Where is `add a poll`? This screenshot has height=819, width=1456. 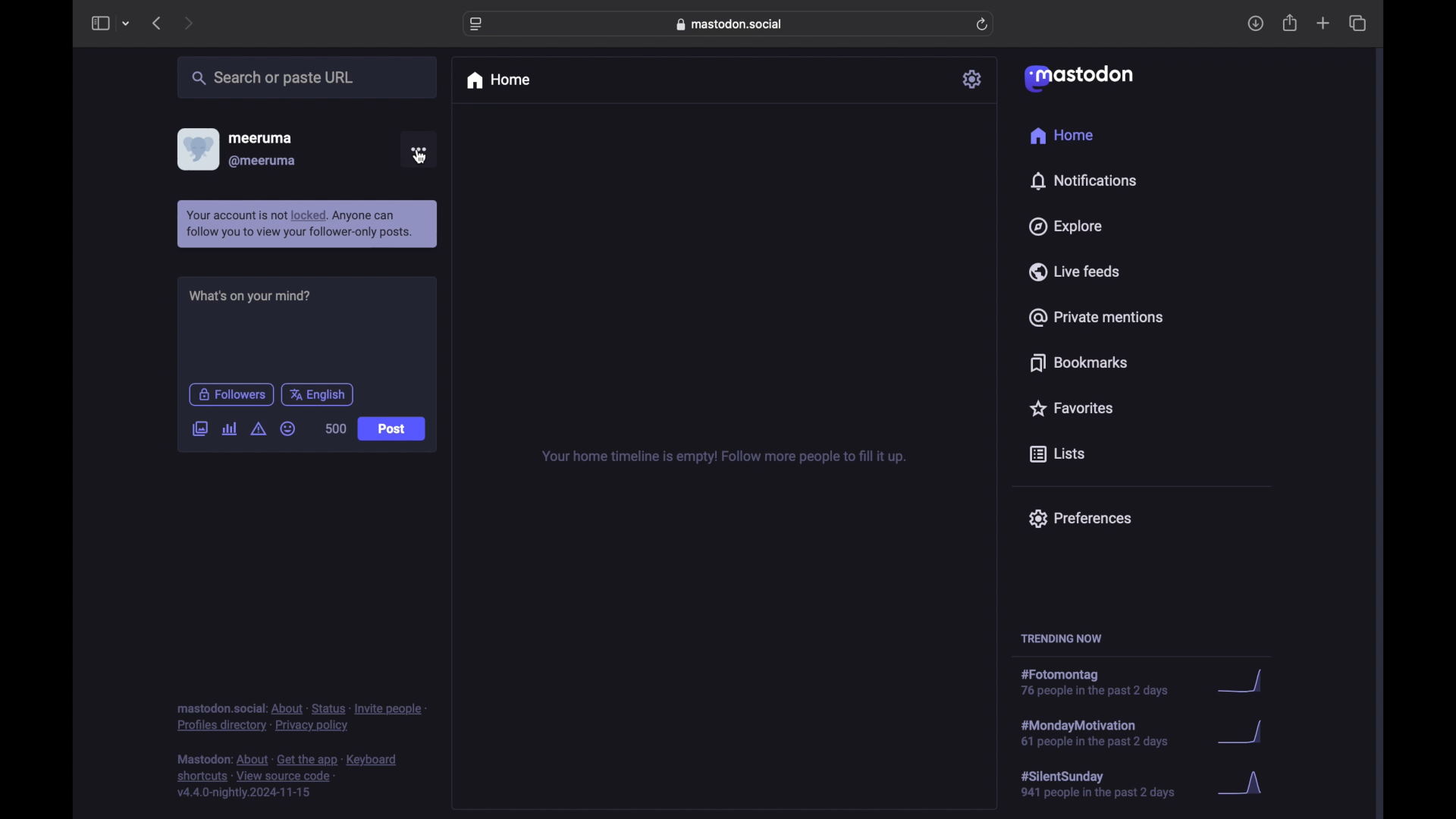
add a poll is located at coordinates (229, 429).